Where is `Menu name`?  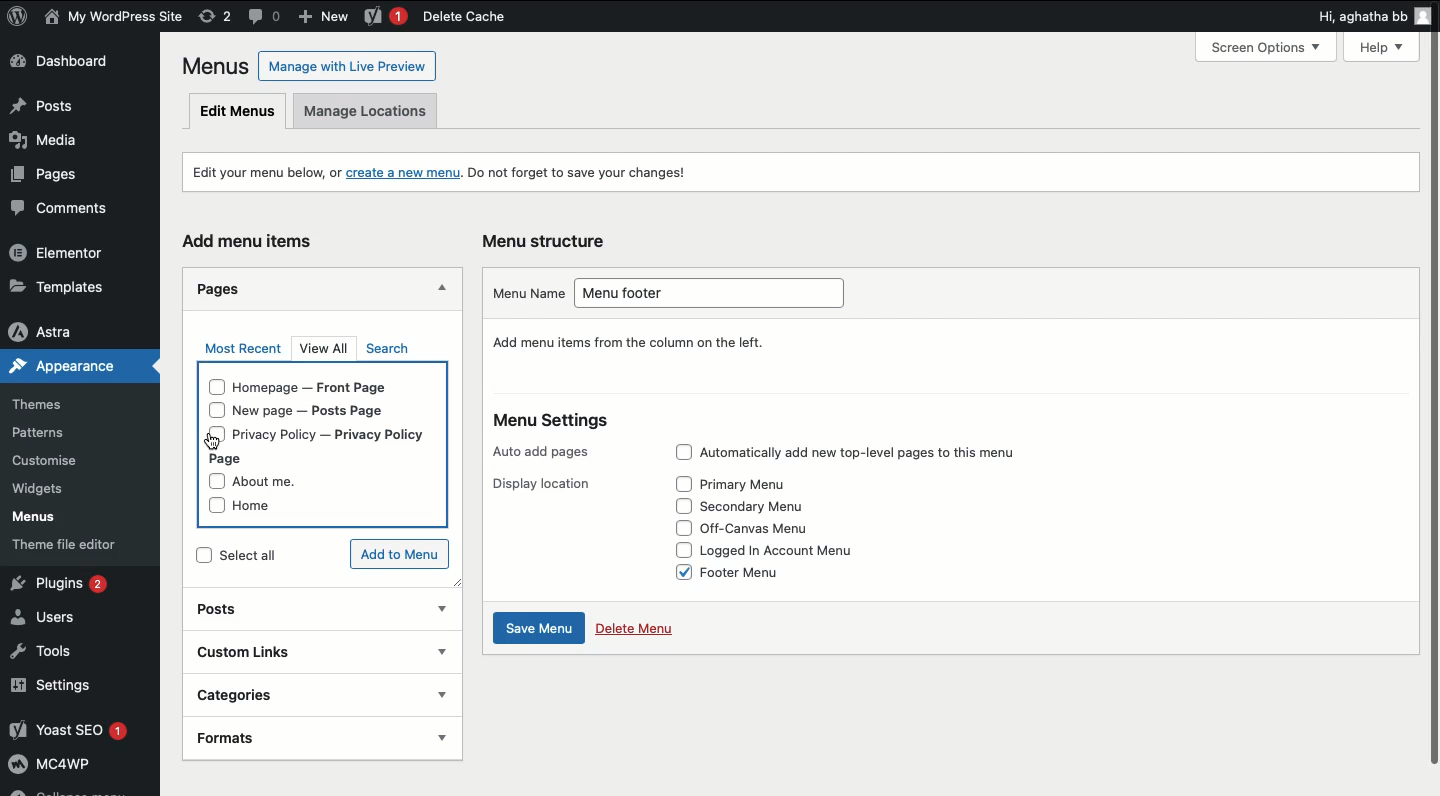
Menu name is located at coordinates (521, 293).